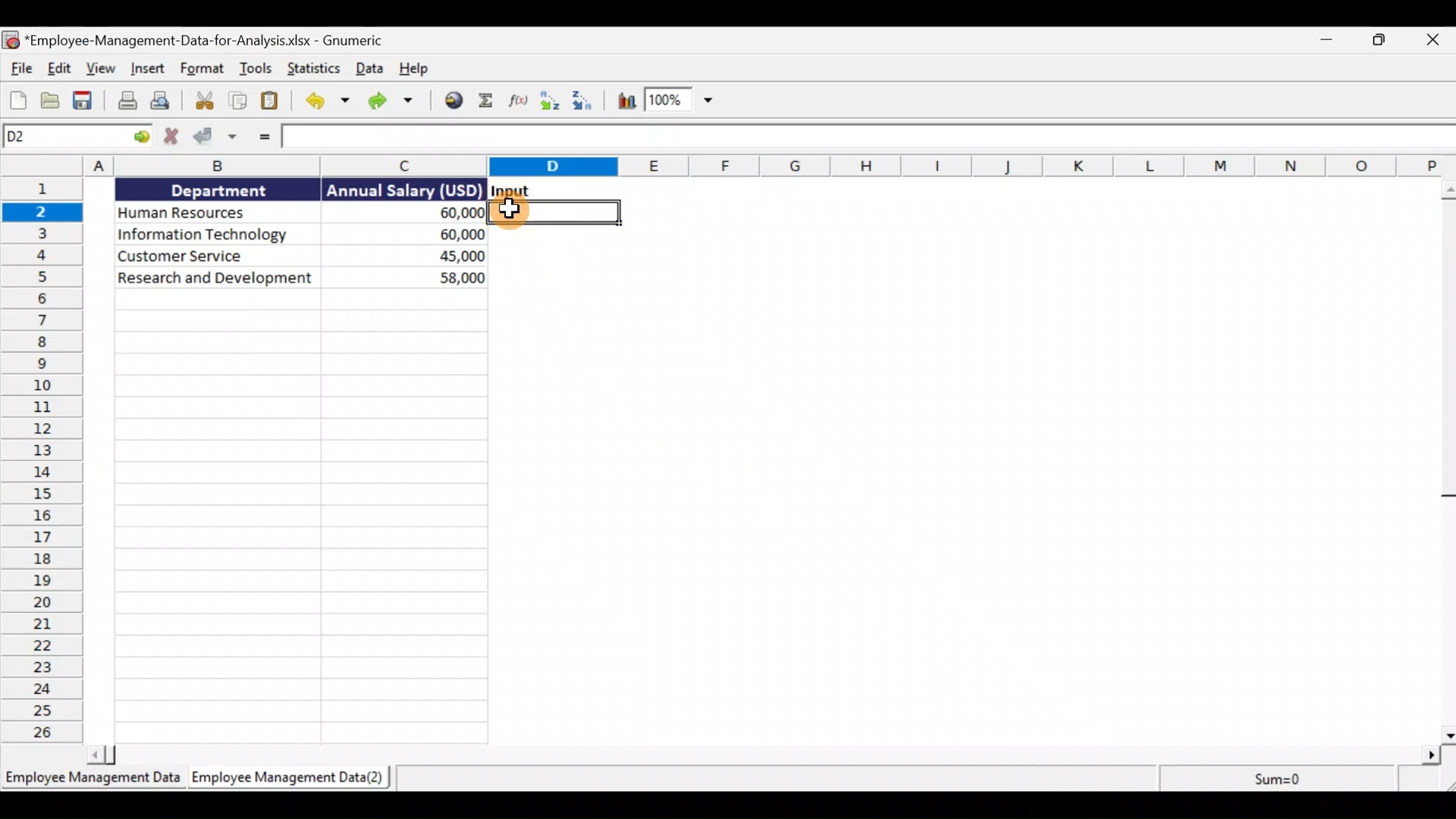 This screenshot has width=1456, height=819. What do you see at coordinates (14, 99) in the screenshot?
I see `Create a new workbook` at bounding box center [14, 99].